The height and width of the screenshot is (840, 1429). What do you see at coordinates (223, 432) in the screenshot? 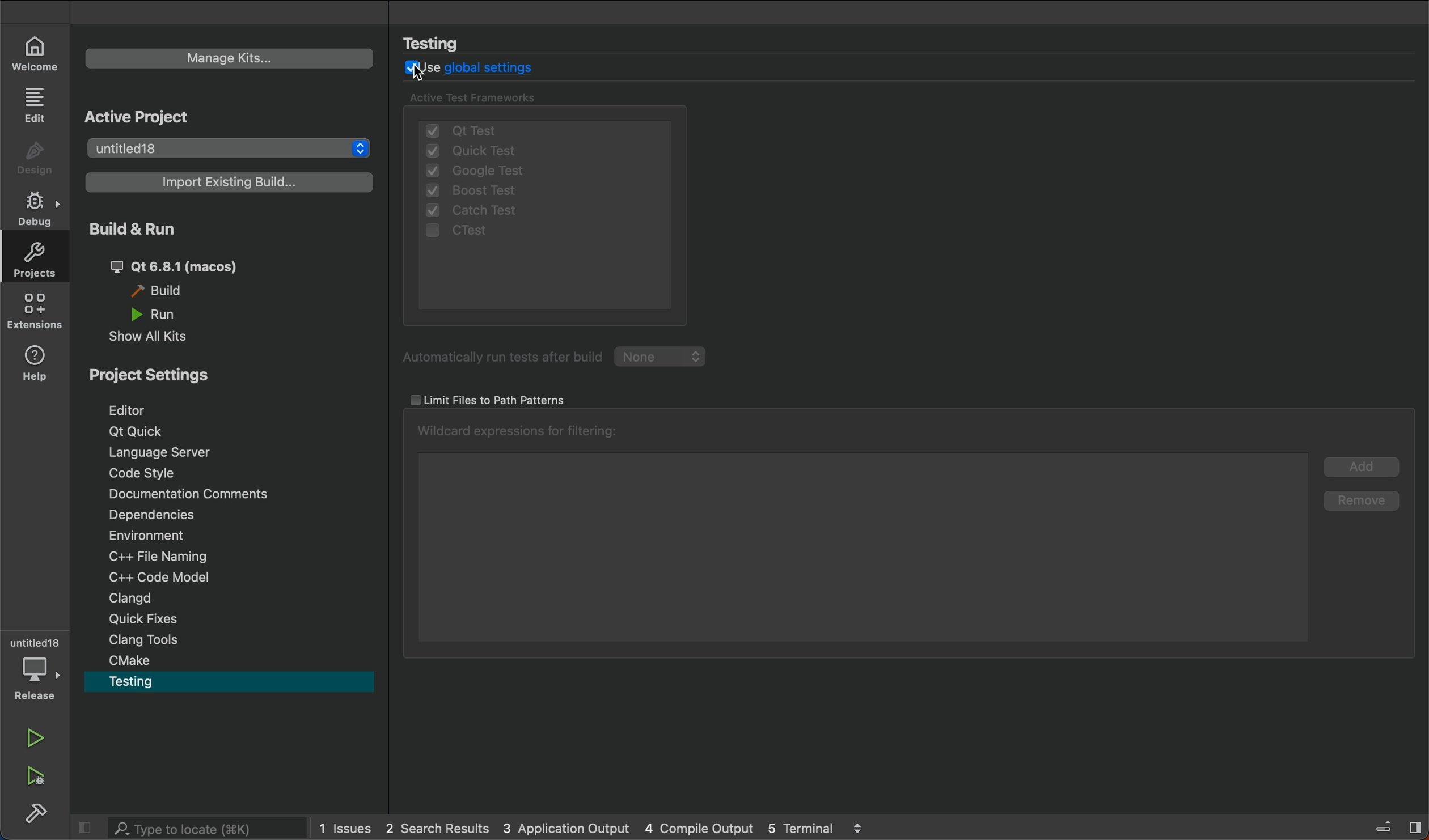
I see `qt quick` at bounding box center [223, 432].